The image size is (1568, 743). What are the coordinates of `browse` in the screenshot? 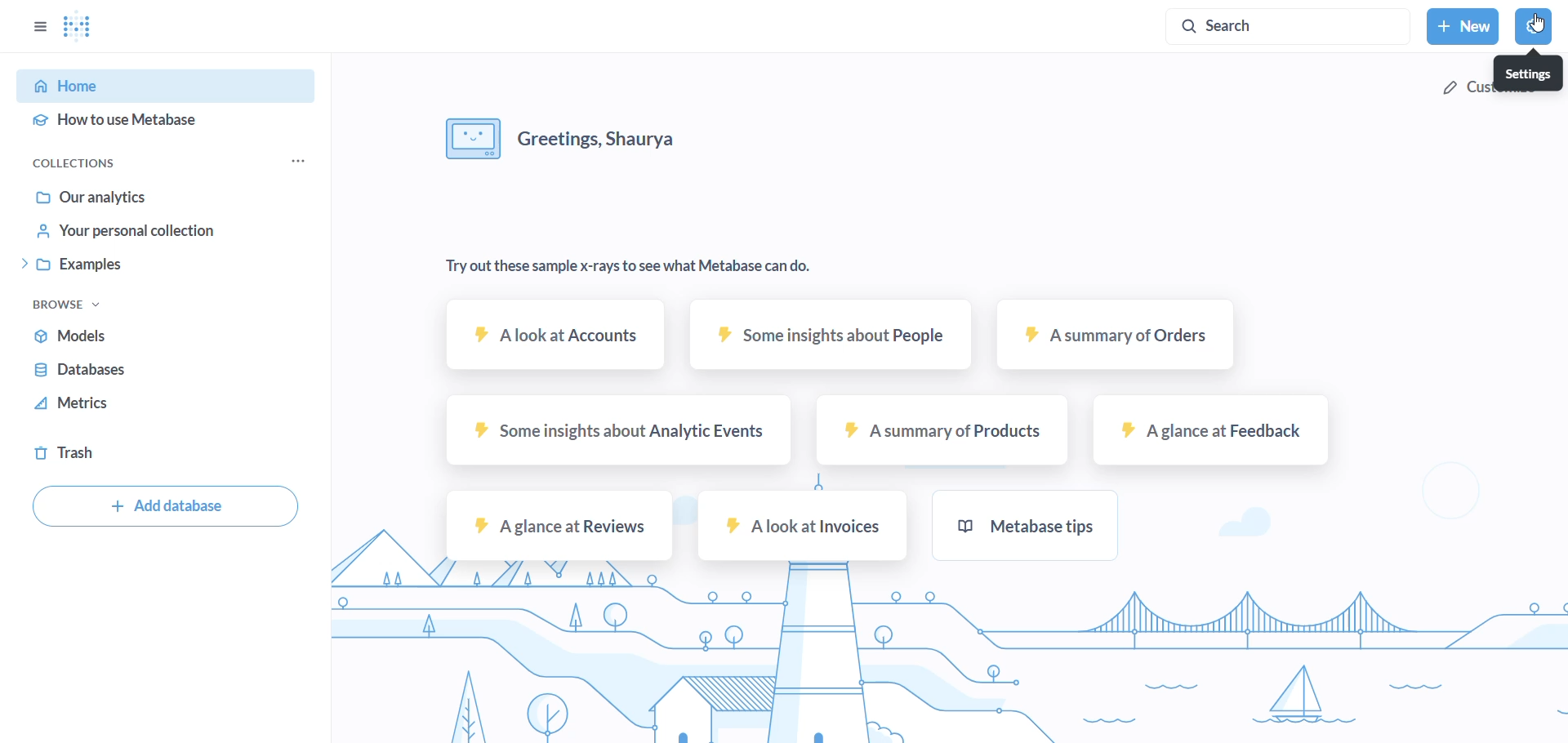 It's located at (82, 306).